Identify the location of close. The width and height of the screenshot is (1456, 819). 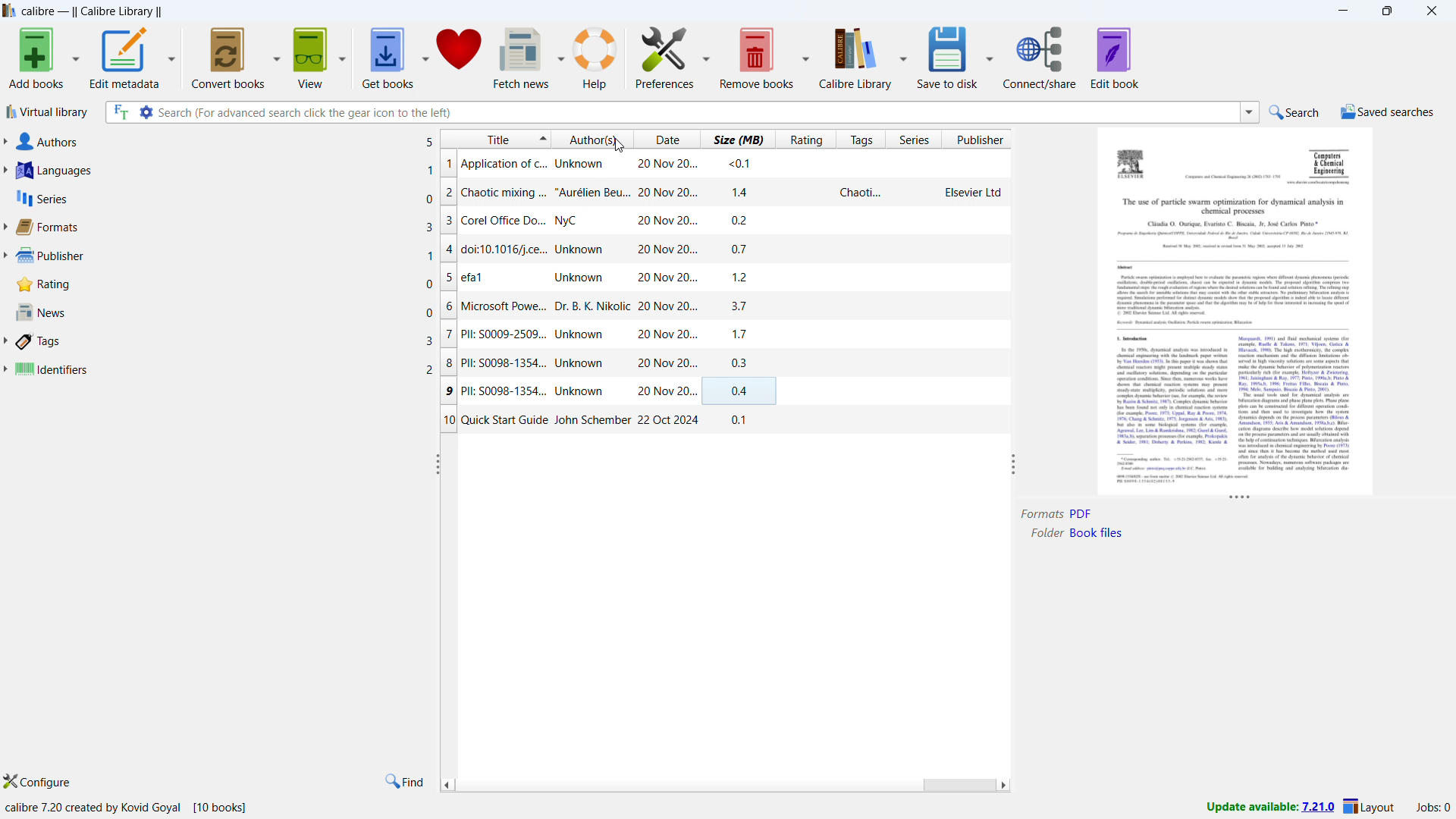
(1430, 11).